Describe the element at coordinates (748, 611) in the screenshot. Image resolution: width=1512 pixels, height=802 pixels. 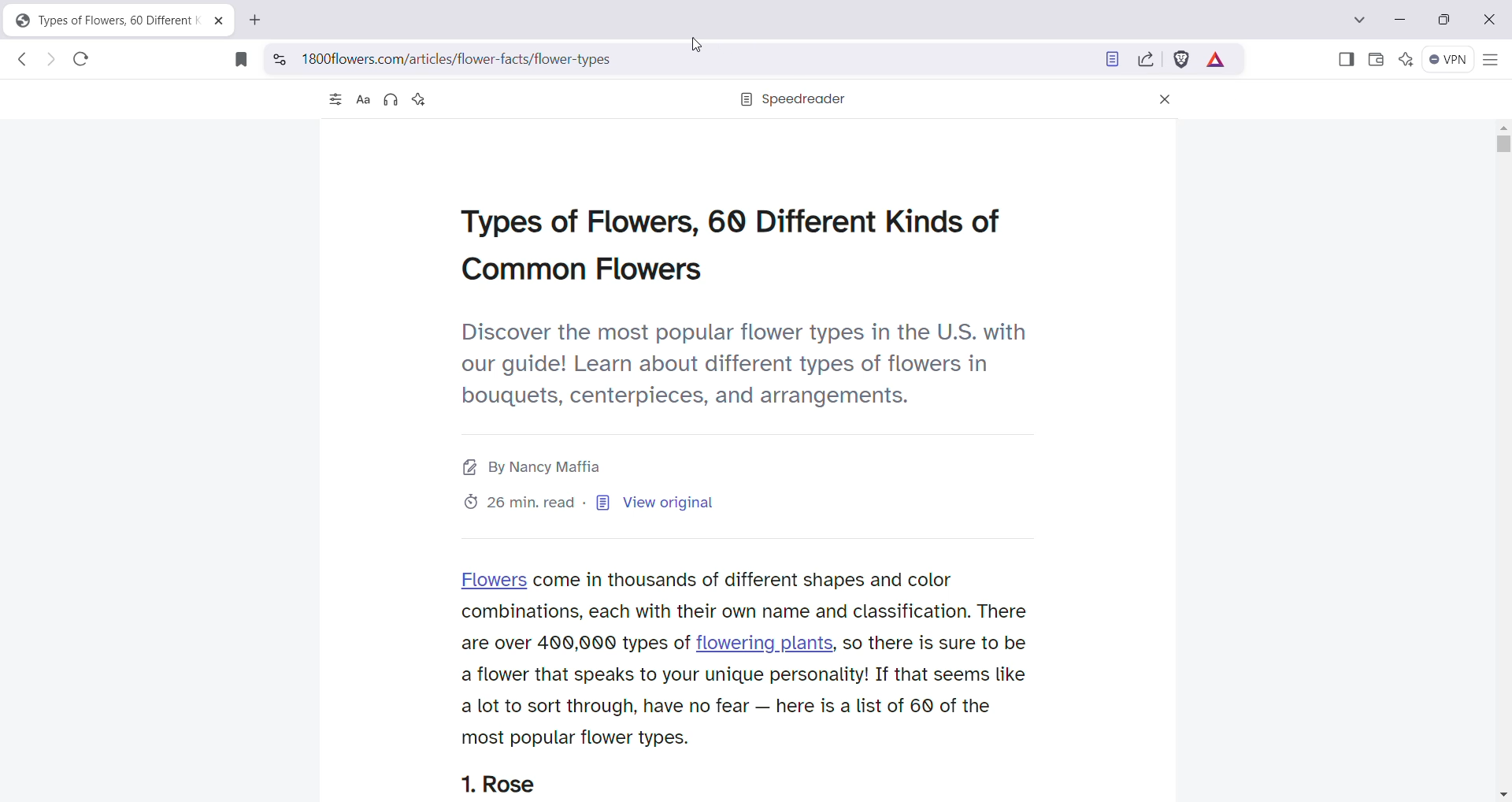
I see `combinations, each with their own name and classification. There` at that location.